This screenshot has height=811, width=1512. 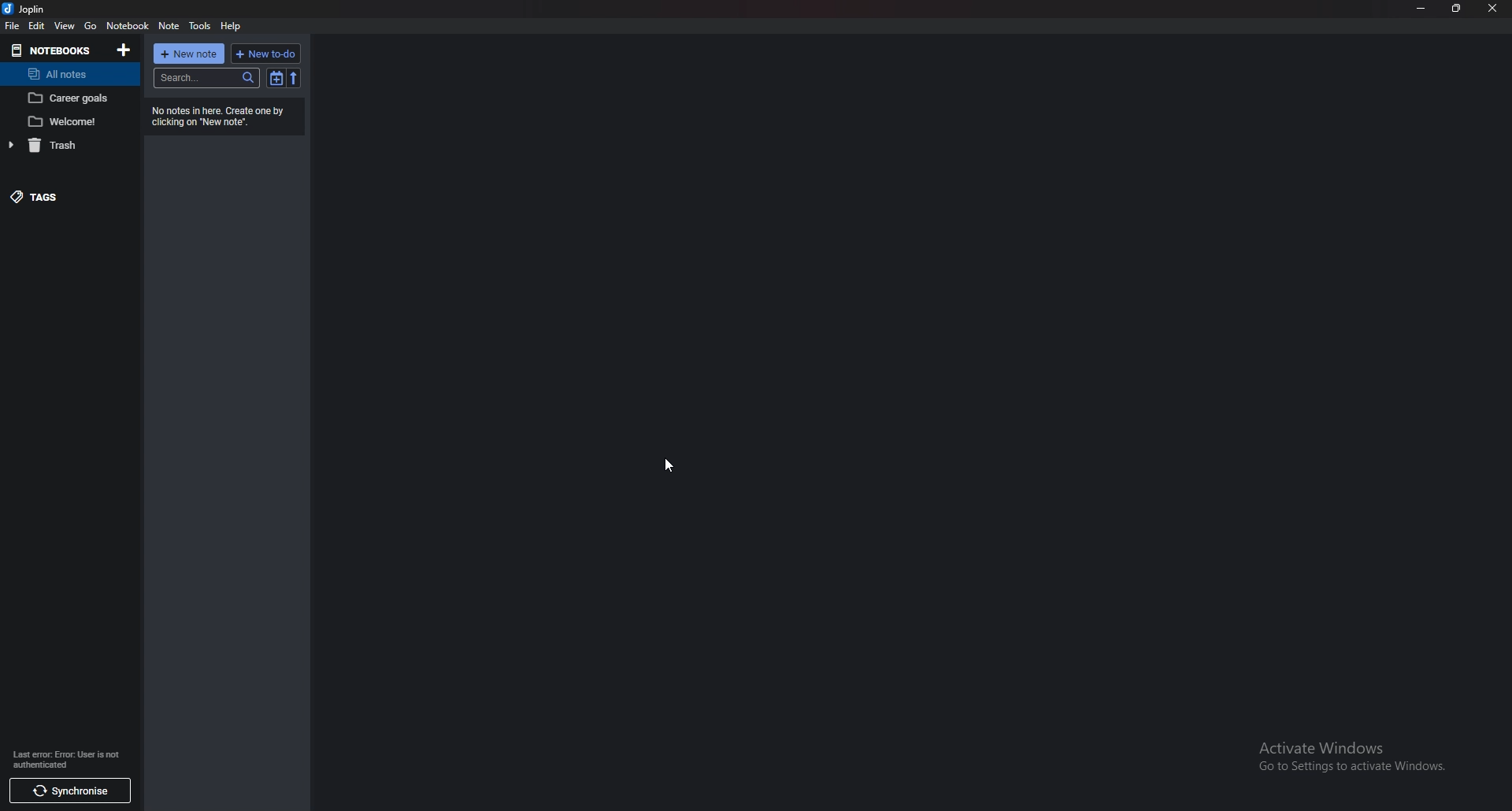 What do you see at coordinates (1421, 9) in the screenshot?
I see `minimize` at bounding box center [1421, 9].